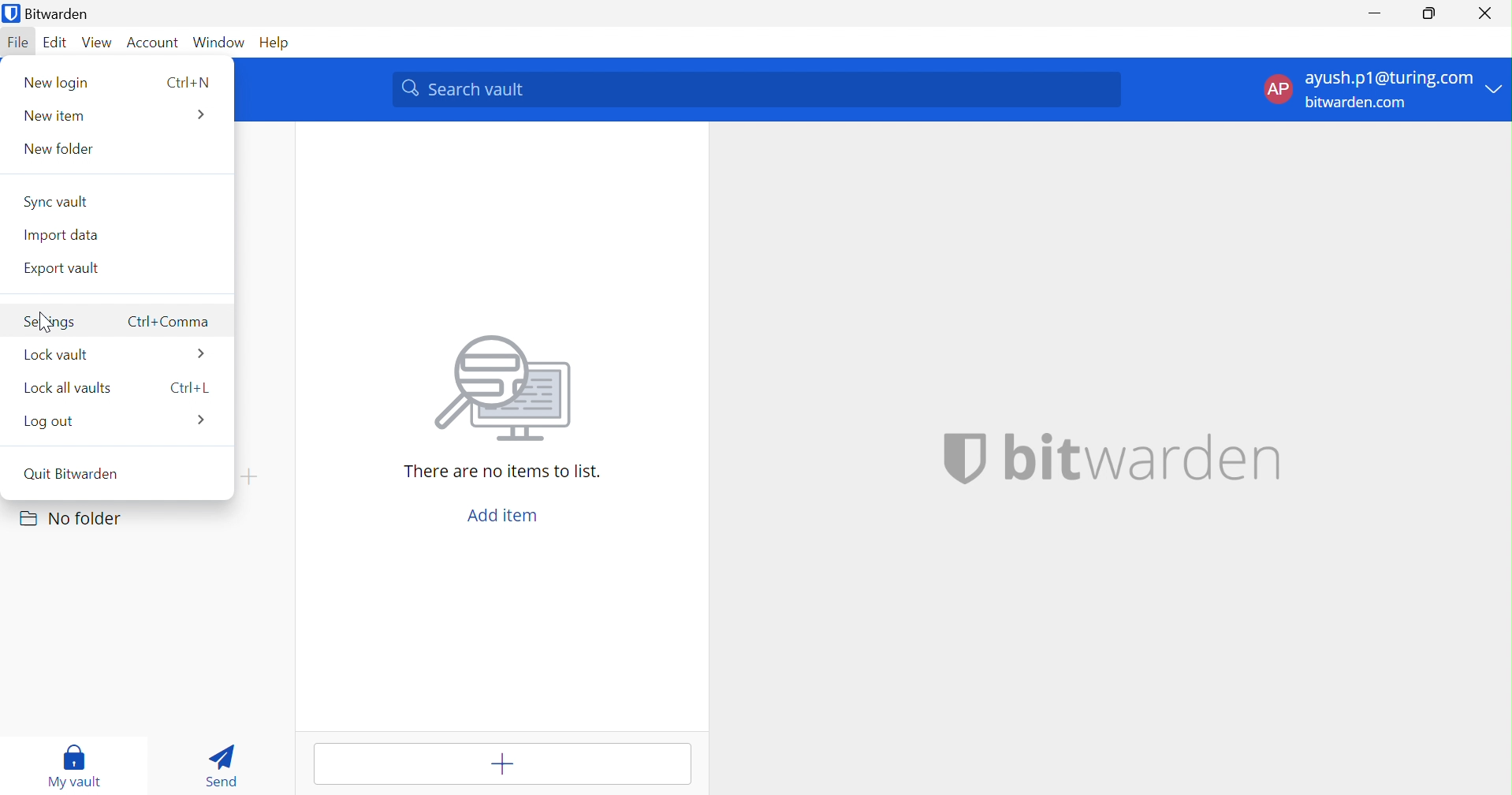  What do you see at coordinates (74, 473) in the screenshot?
I see `Quit Bitwarden` at bounding box center [74, 473].